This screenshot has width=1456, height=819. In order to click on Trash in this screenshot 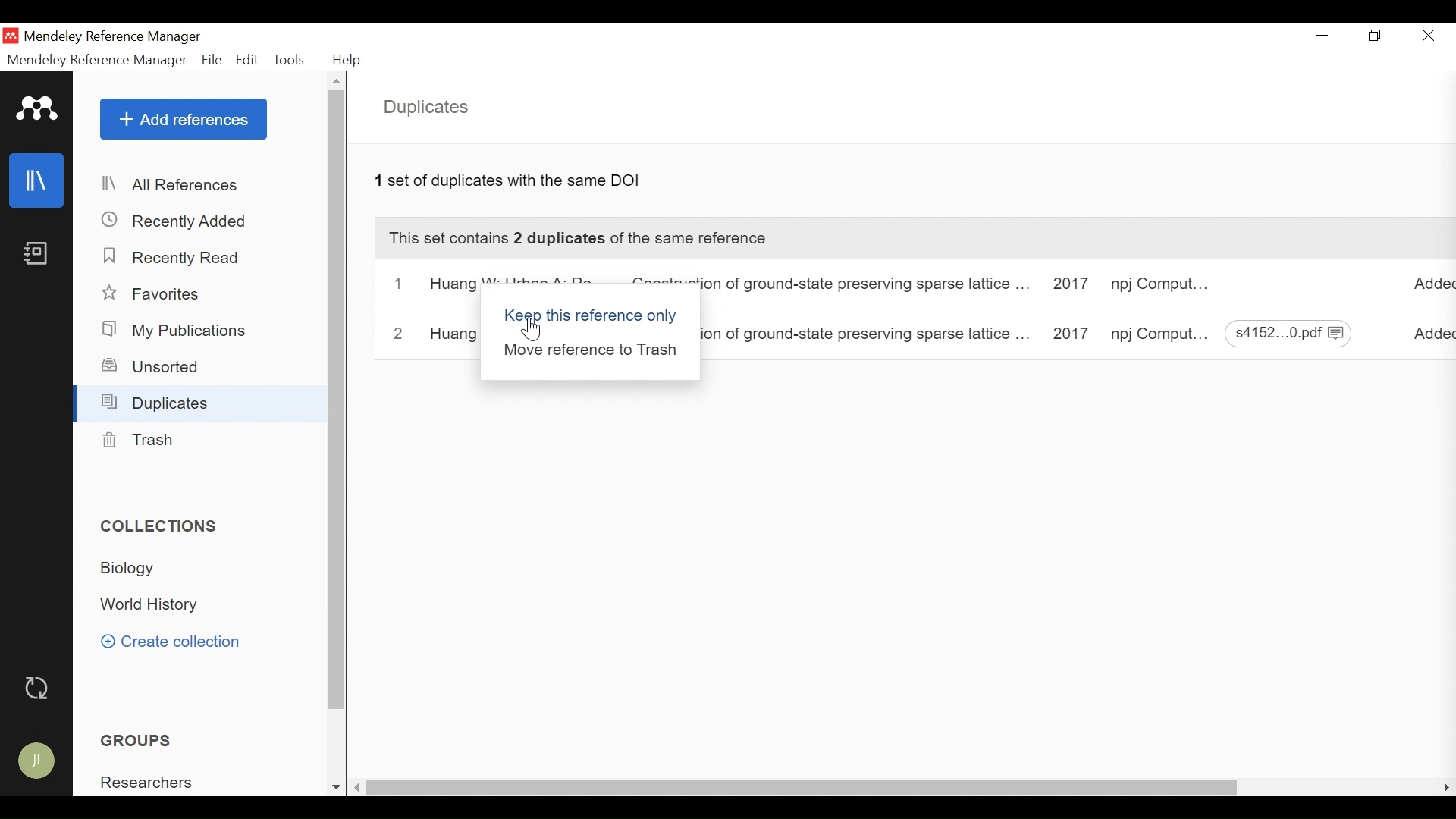, I will do `click(135, 439)`.